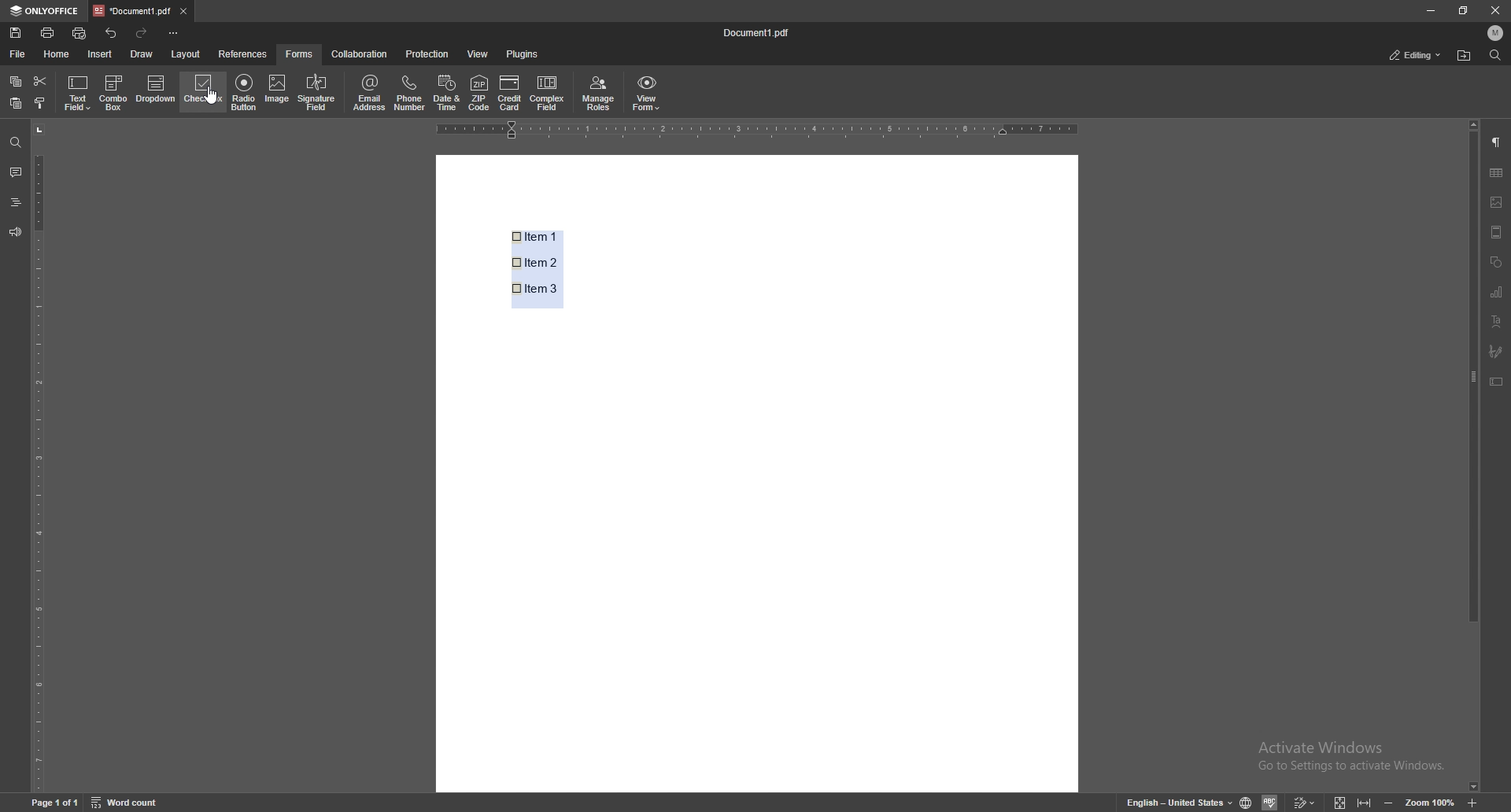  Describe the element at coordinates (113, 94) in the screenshot. I see `combo box` at that location.